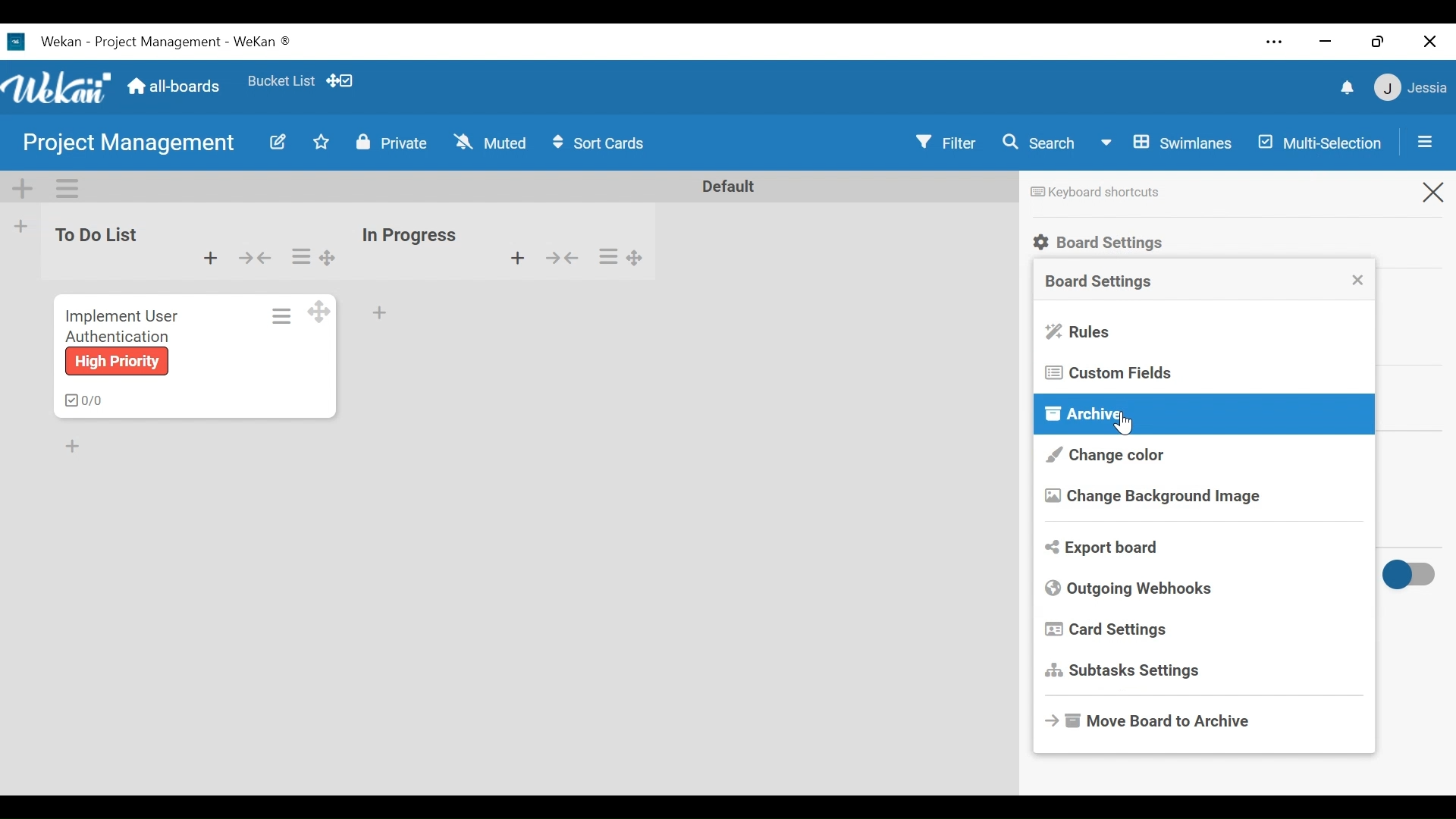 The height and width of the screenshot is (819, 1456). I want to click on Board View, so click(1164, 143).